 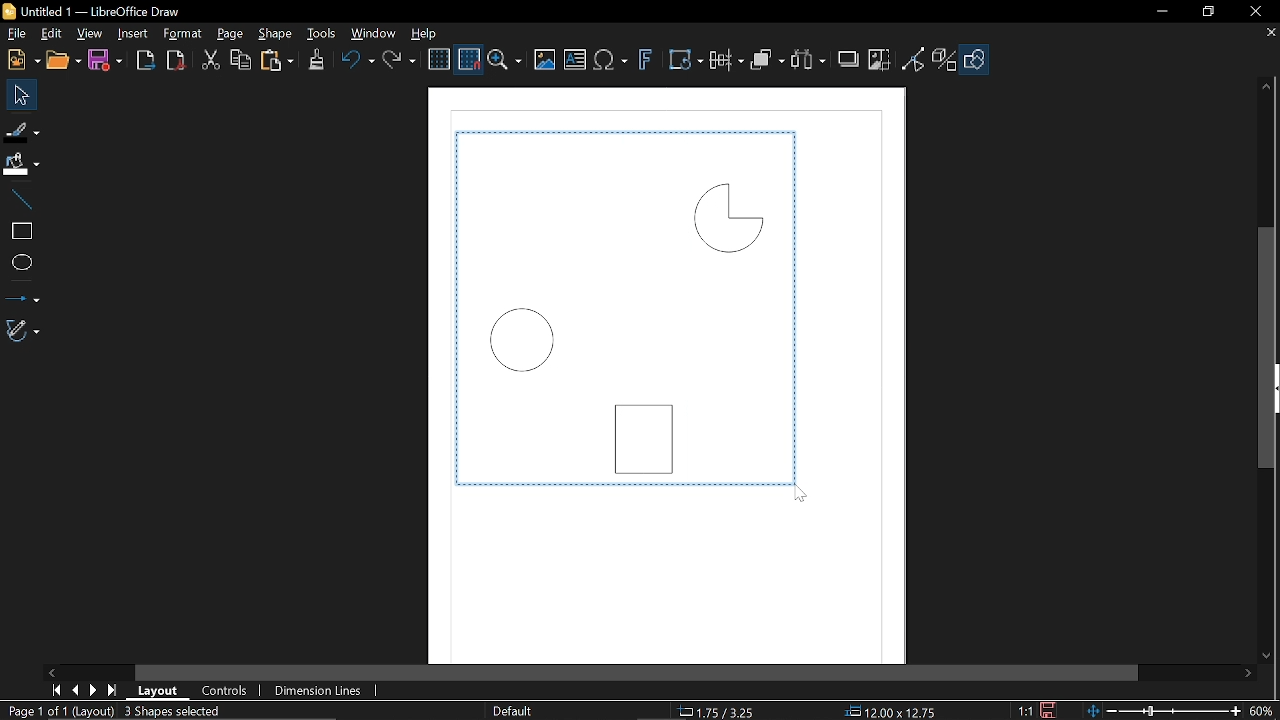 What do you see at coordinates (18, 229) in the screenshot?
I see `Rectangle` at bounding box center [18, 229].